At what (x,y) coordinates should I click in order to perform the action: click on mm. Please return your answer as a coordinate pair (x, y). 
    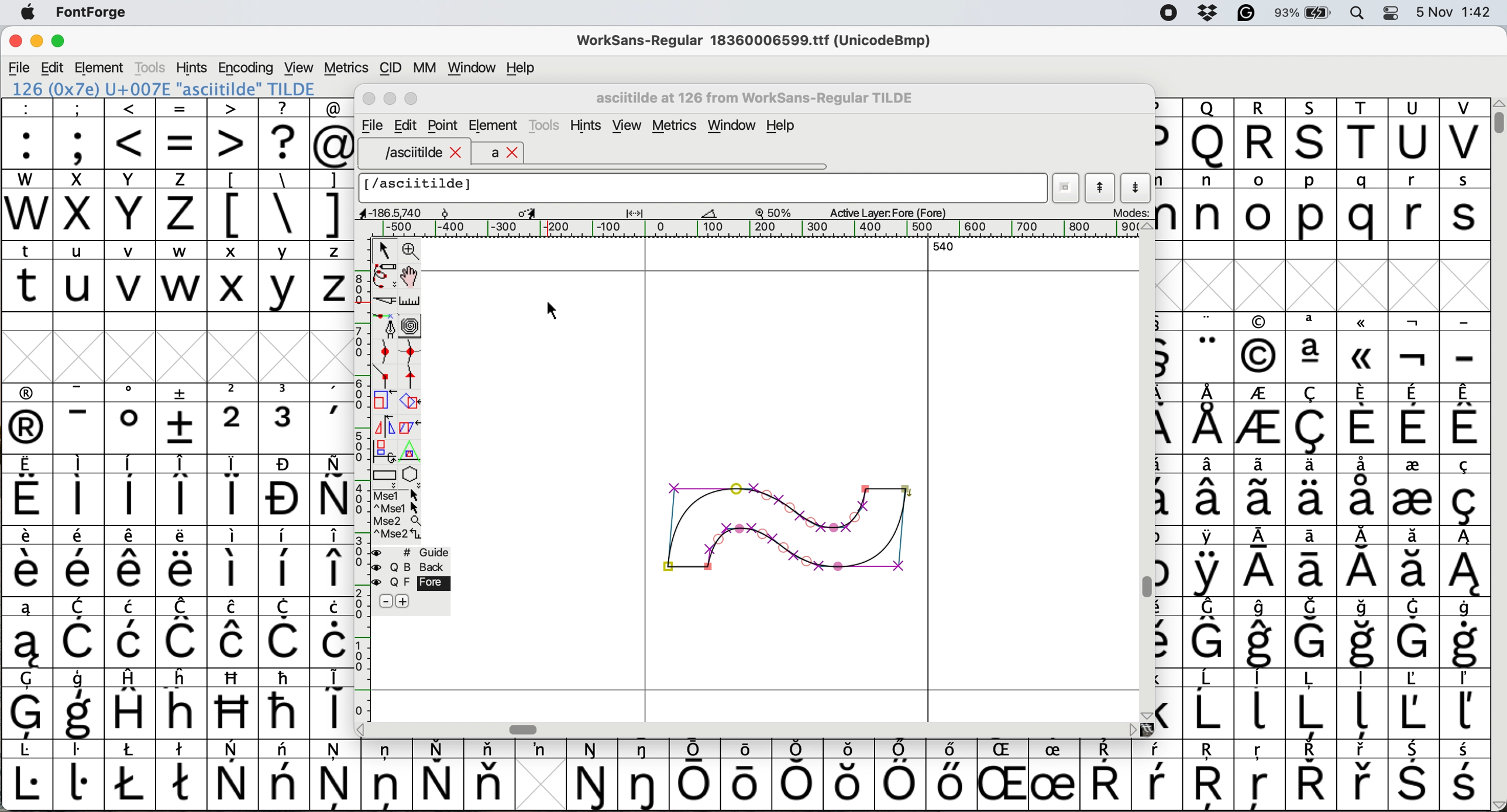
    Looking at the image, I should click on (424, 67).